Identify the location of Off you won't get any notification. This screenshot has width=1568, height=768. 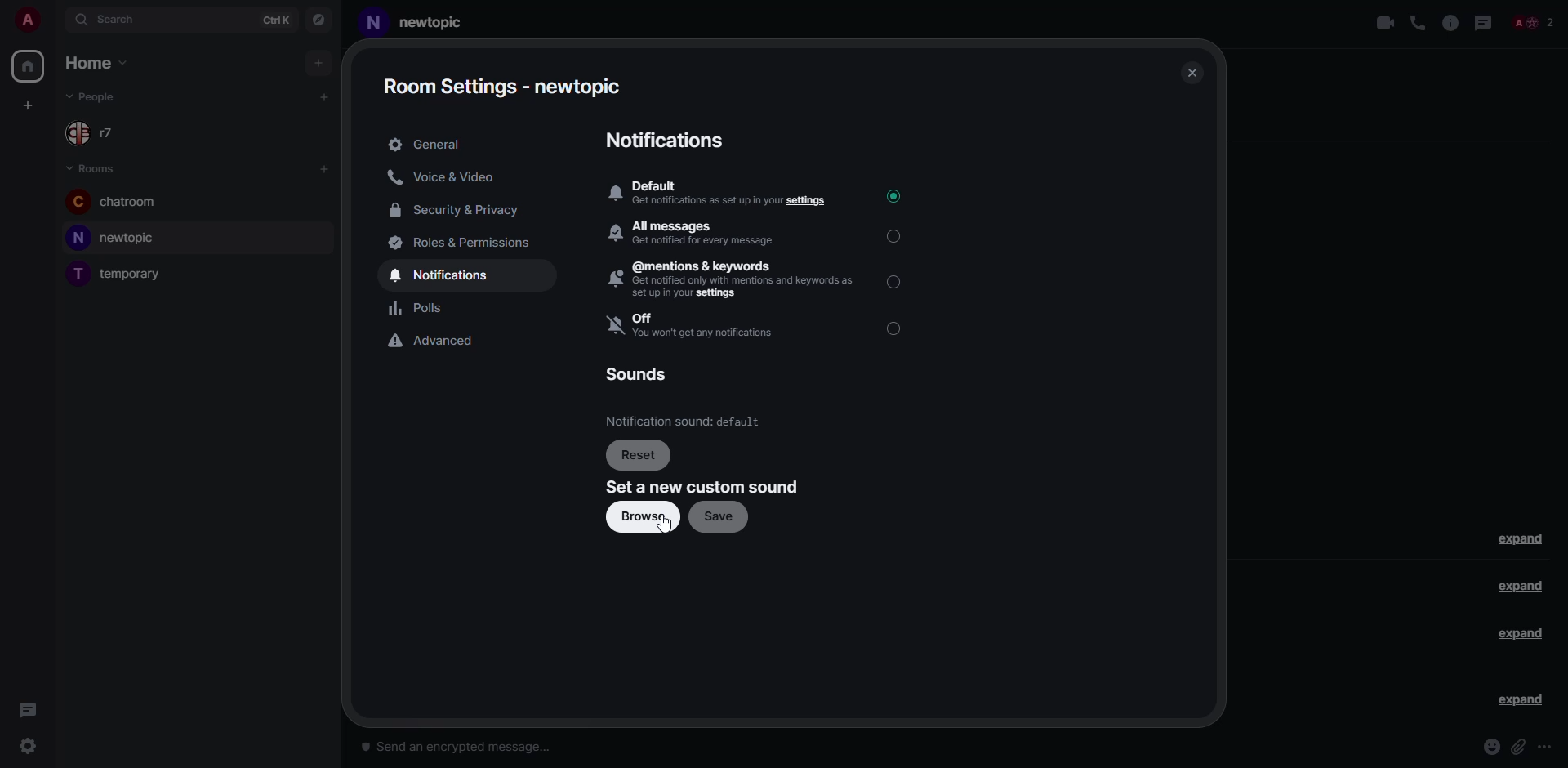
(698, 325).